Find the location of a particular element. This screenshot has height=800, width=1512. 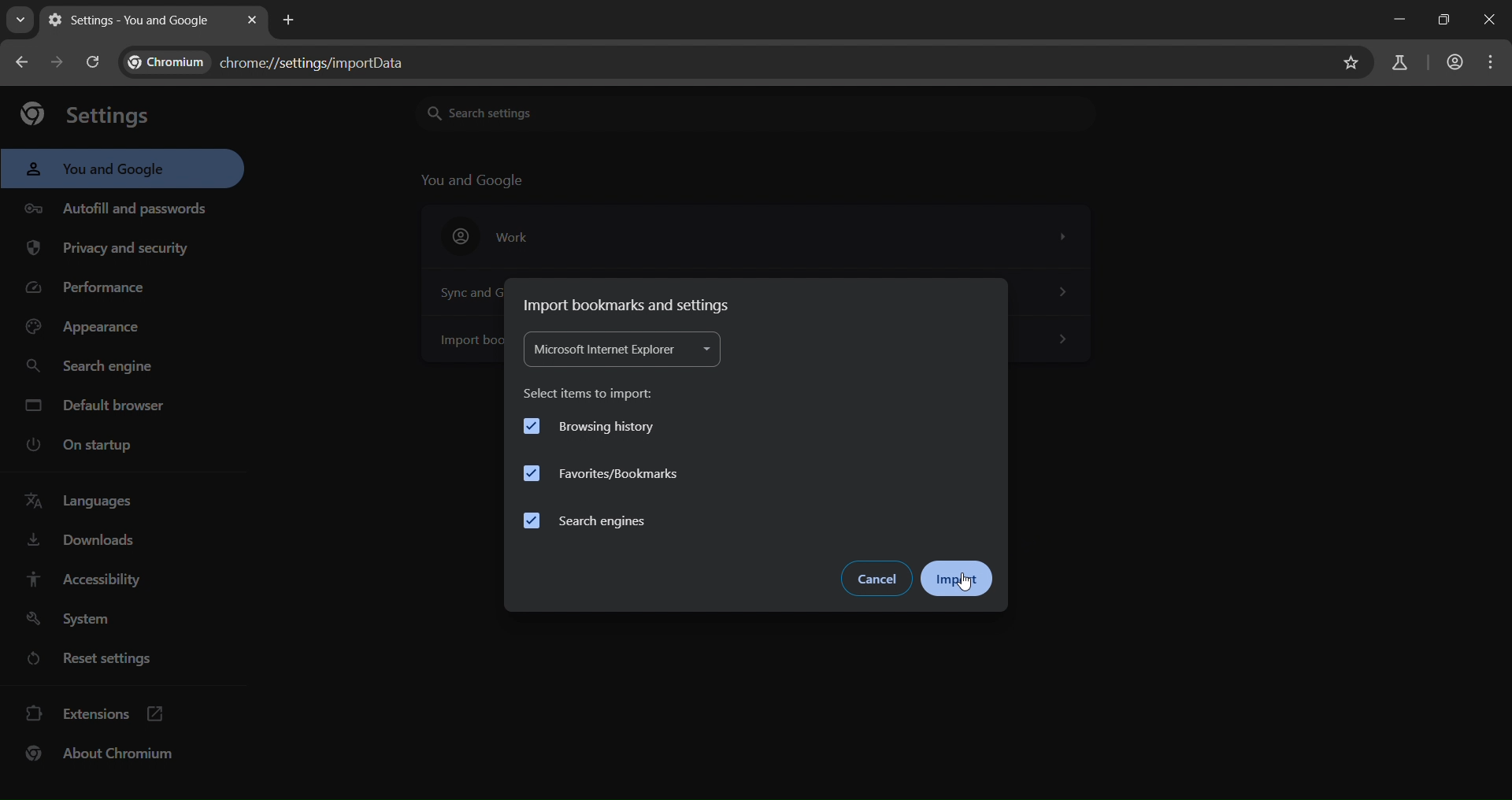

search tabs is located at coordinates (22, 22).